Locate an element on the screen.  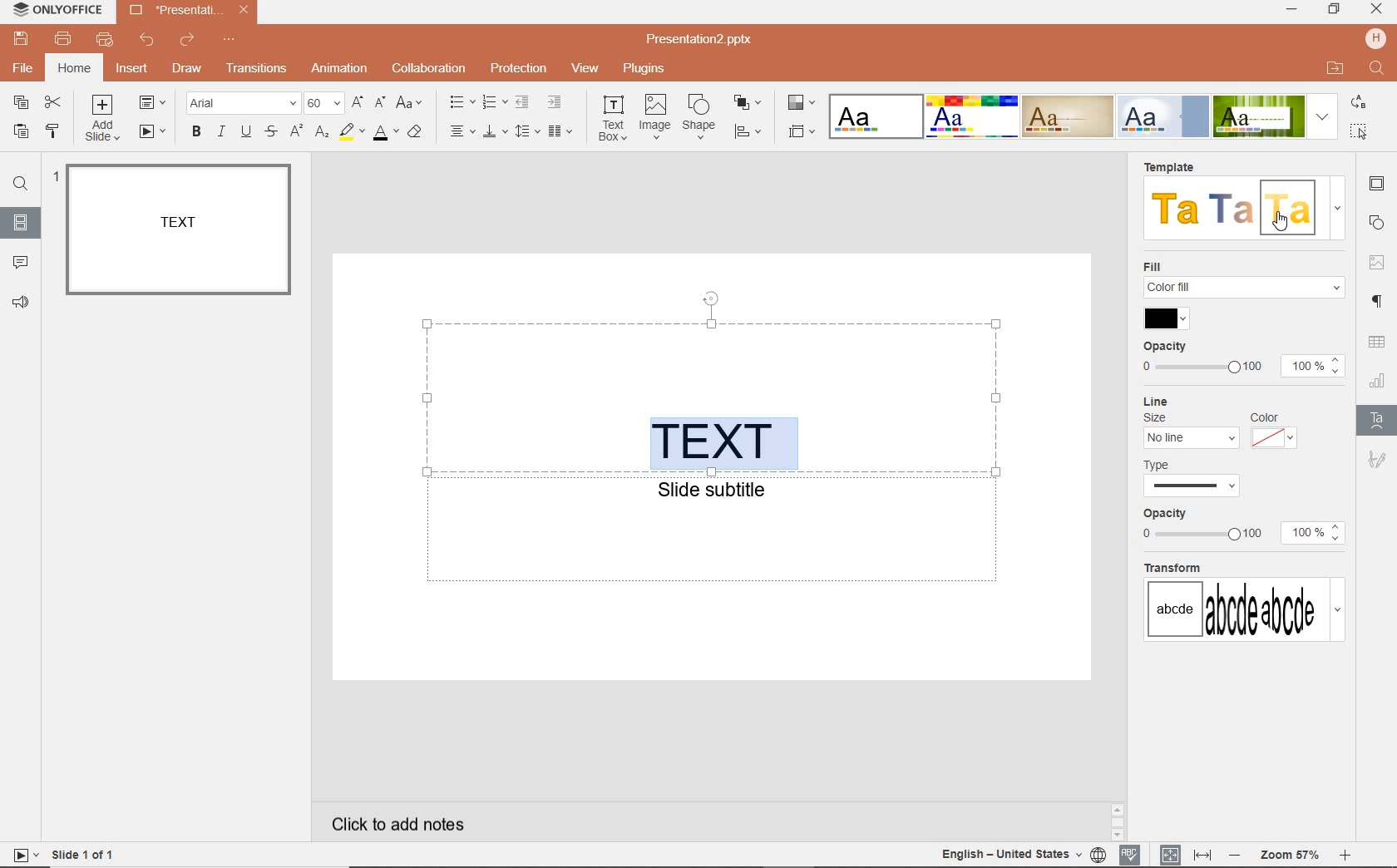
replace is located at coordinates (1360, 104).